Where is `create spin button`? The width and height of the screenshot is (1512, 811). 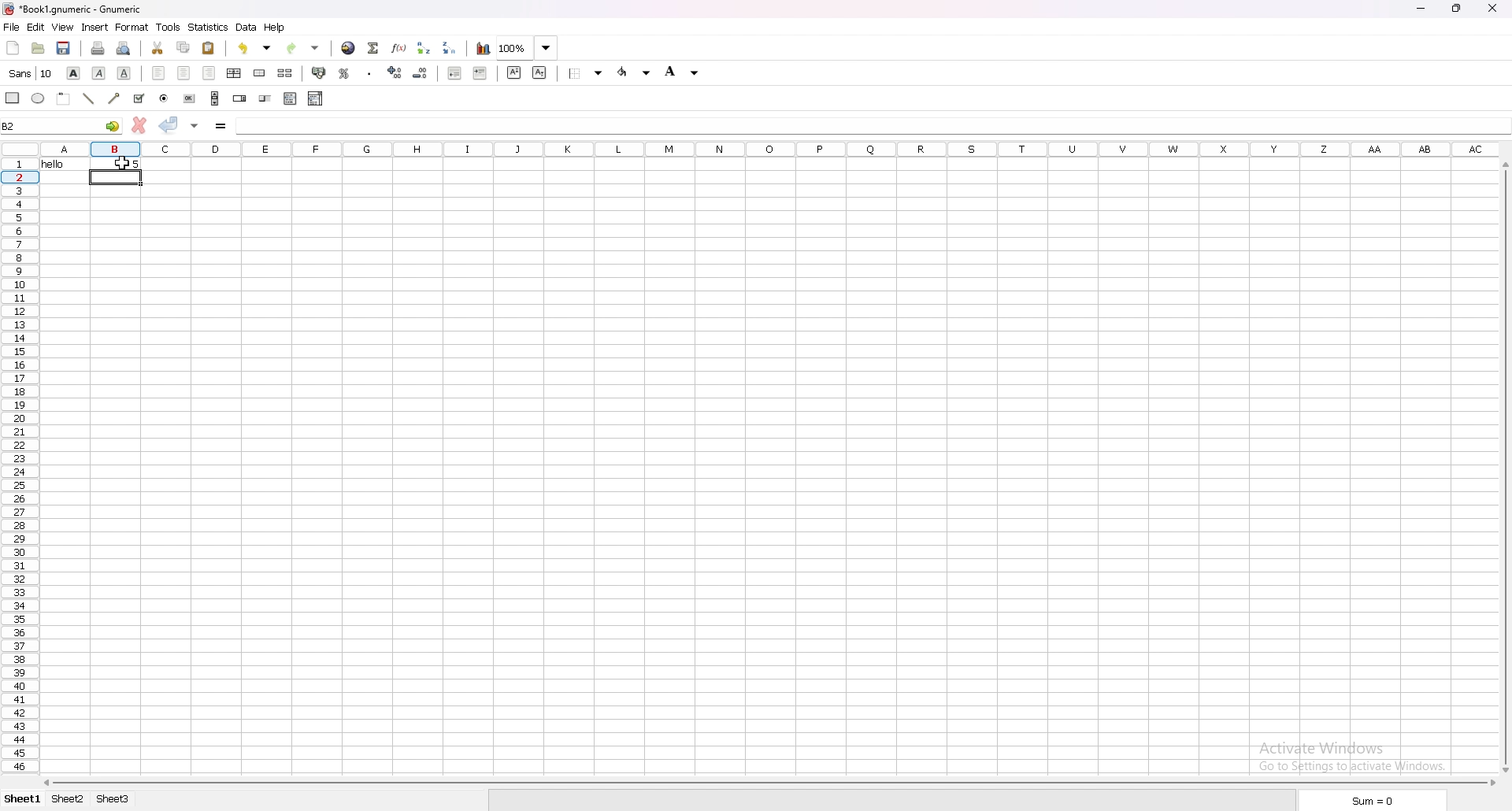 create spin button is located at coordinates (240, 98).